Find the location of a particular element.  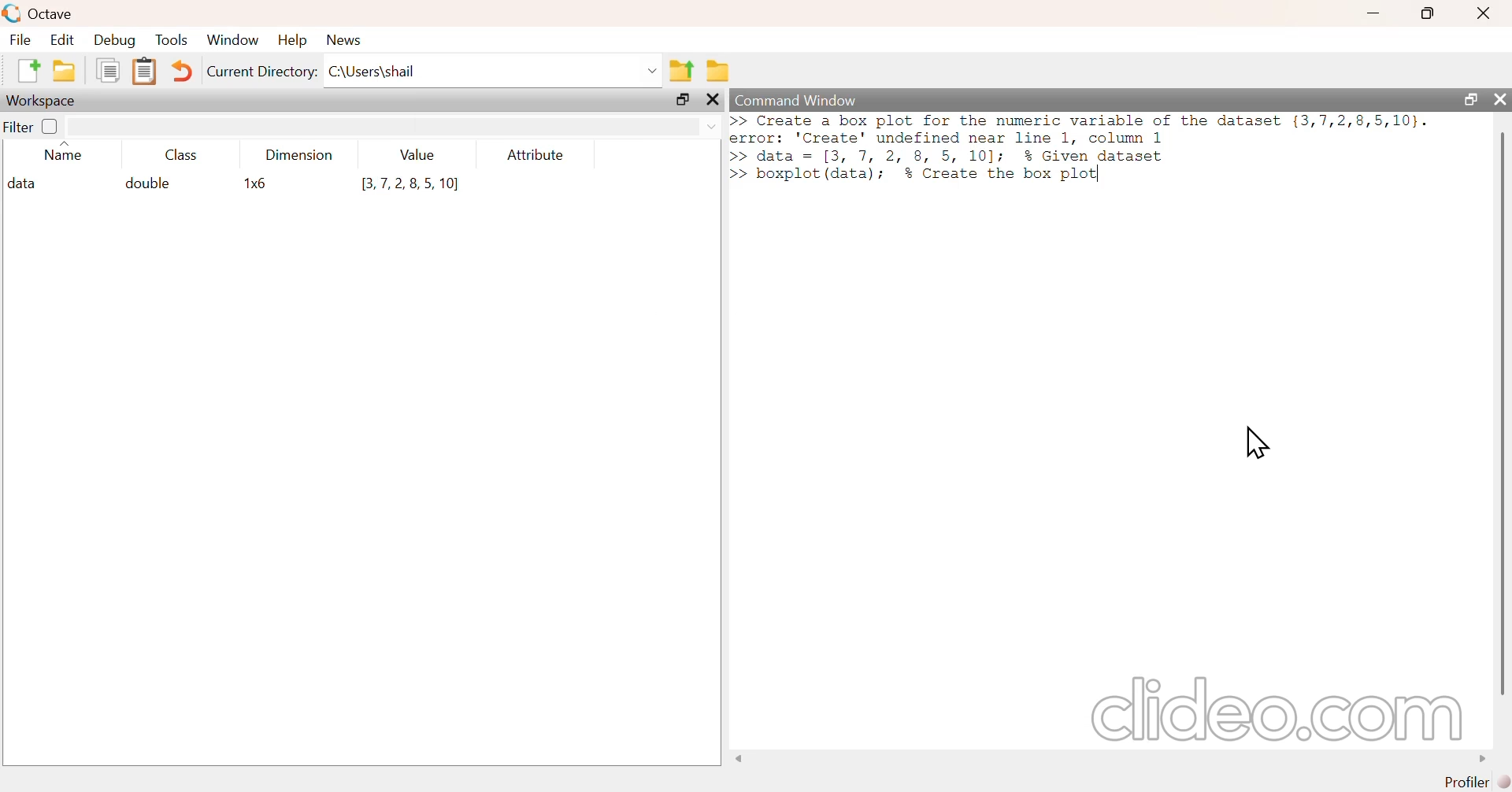

new script is located at coordinates (23, 69).